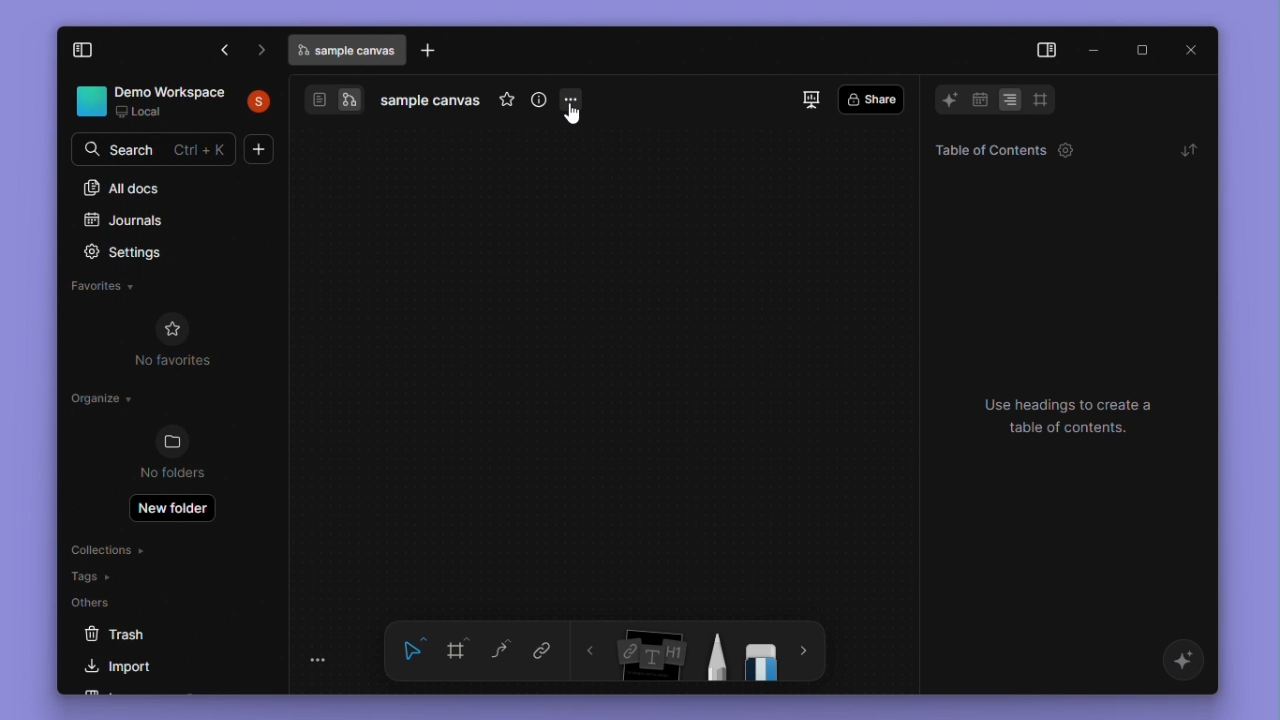 The image size is (1280, 720). What do you see at coordinates (944, 100) in the screenshot?
I see `AI` at bounding box center [944, 100].